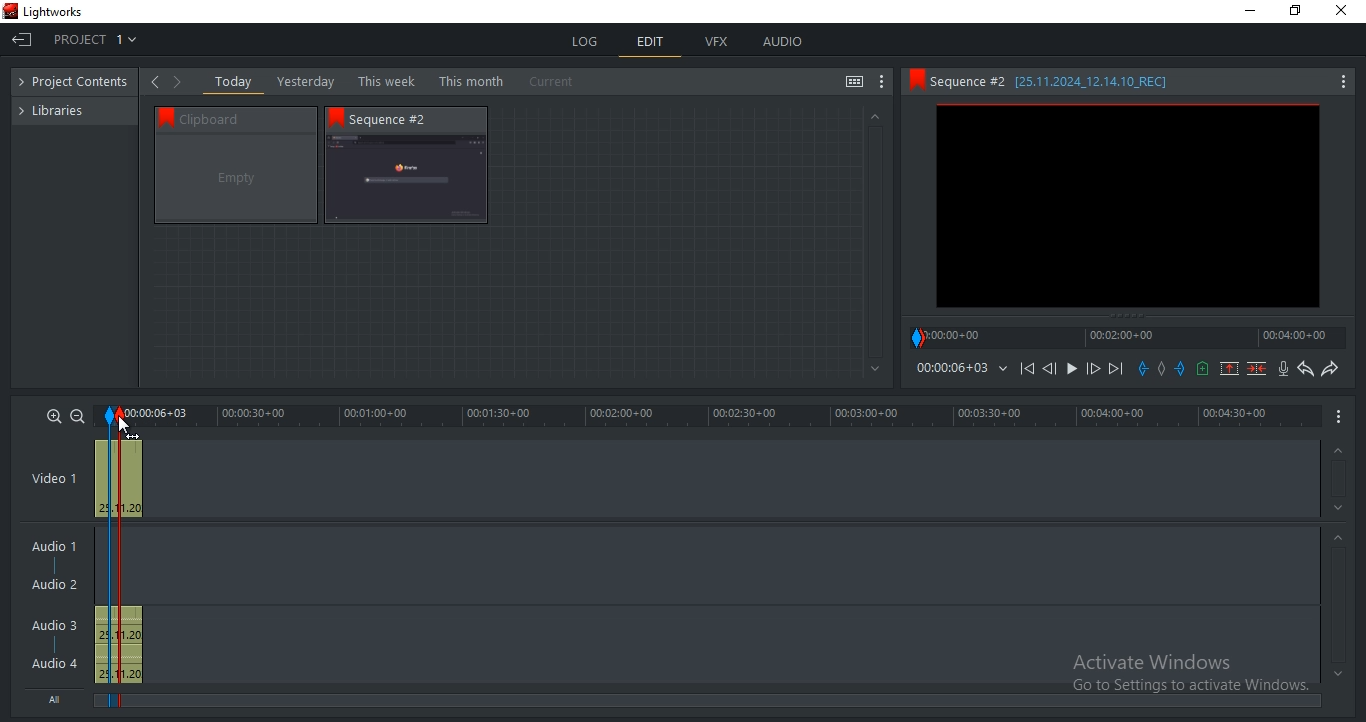 The height and width of the screenshot is (722, 1366). I want to click on Video 1, so click(54, 480).